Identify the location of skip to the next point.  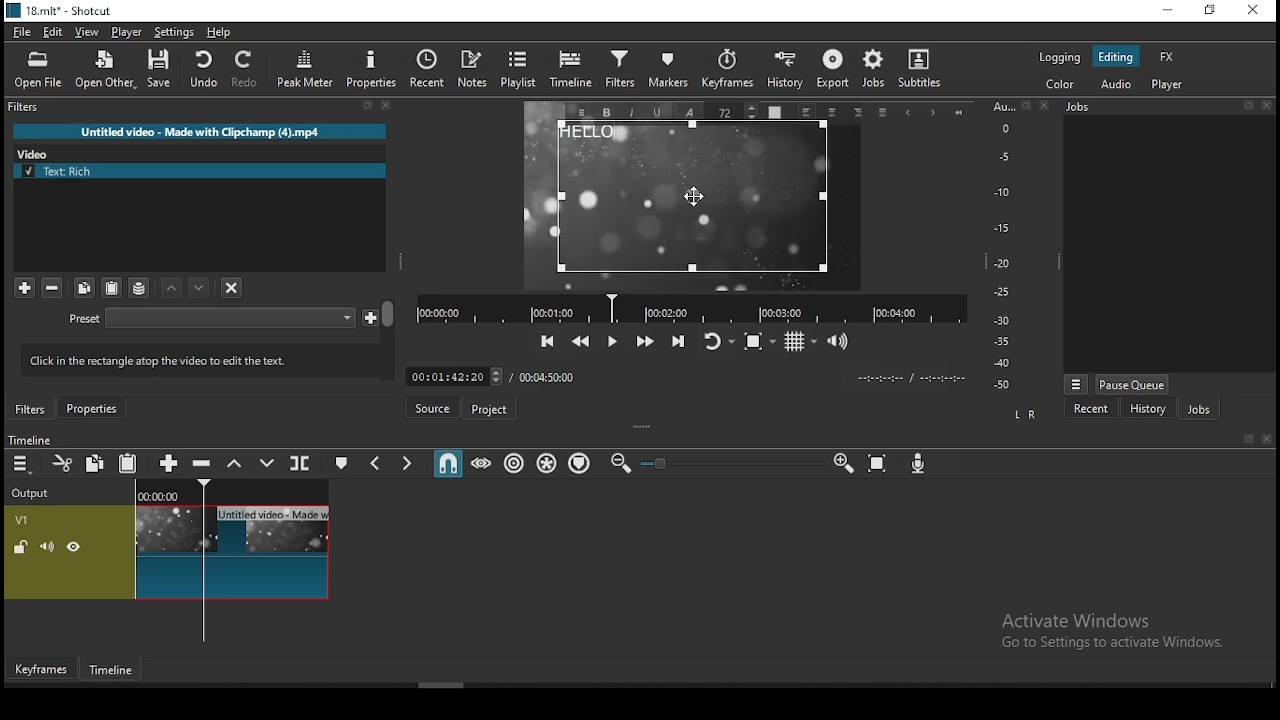
(679, 340).